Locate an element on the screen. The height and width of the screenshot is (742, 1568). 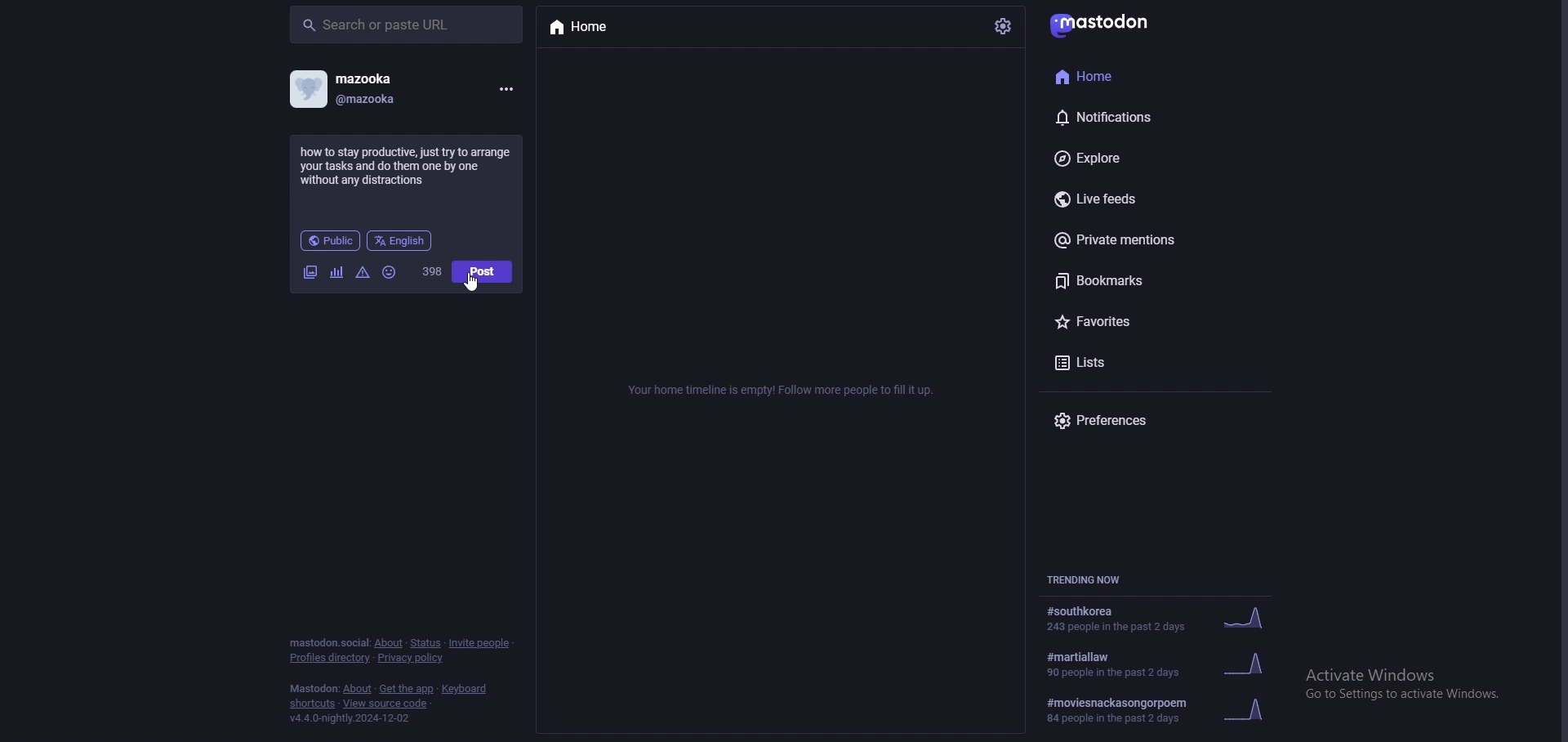
about is located at coordinates (390, 642).